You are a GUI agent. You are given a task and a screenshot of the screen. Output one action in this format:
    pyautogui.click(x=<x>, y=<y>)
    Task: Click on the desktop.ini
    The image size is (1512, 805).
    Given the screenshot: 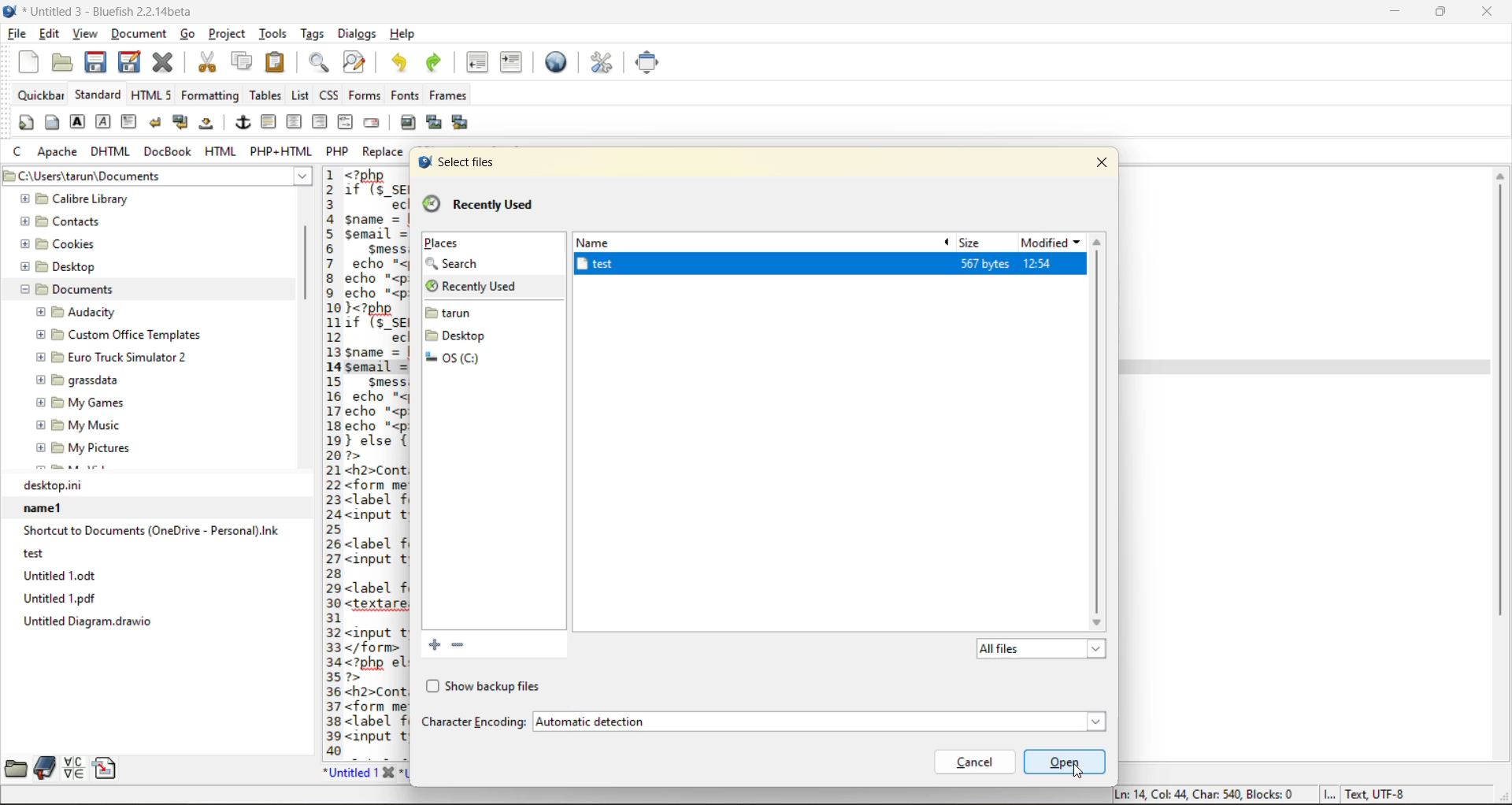 What is the action you would take?
    pyautogui.click(x=157, y=485)
    